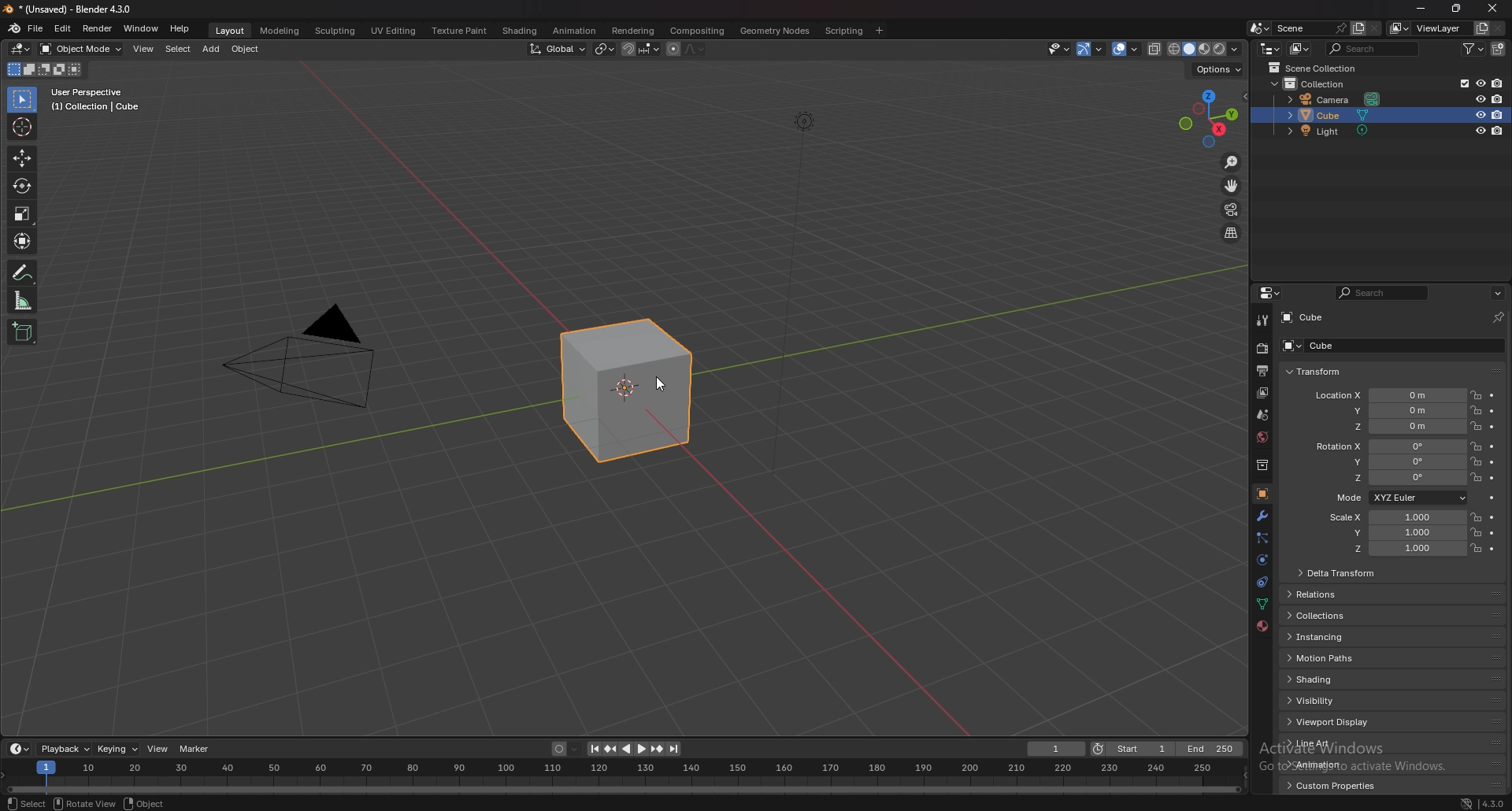  What do you see at coordinates (1262, 371) in the screenshot?
I see `output` at bounding box center [1262, 371].